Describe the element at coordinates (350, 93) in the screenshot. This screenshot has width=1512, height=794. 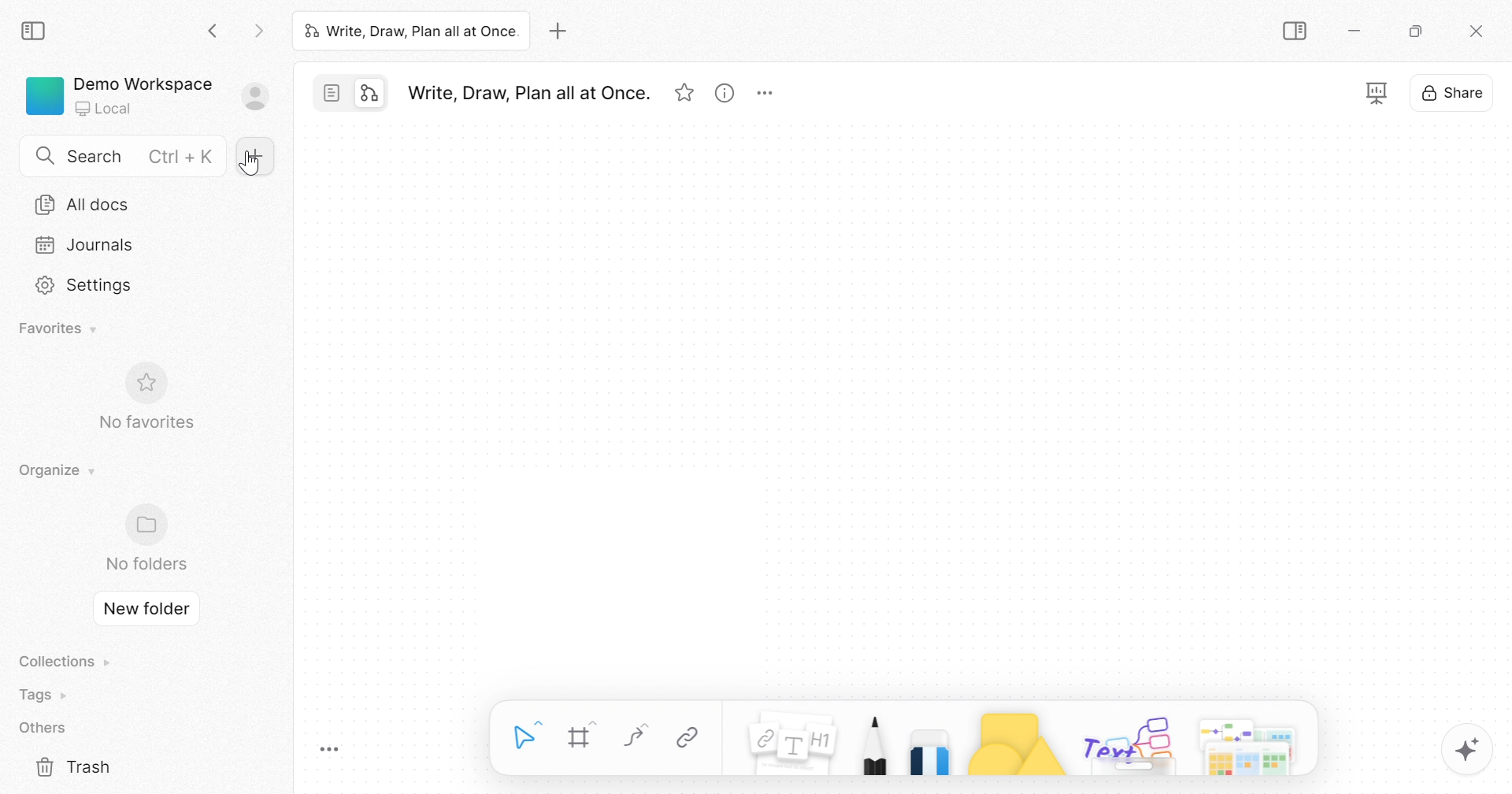
I see `Switch` at that location.